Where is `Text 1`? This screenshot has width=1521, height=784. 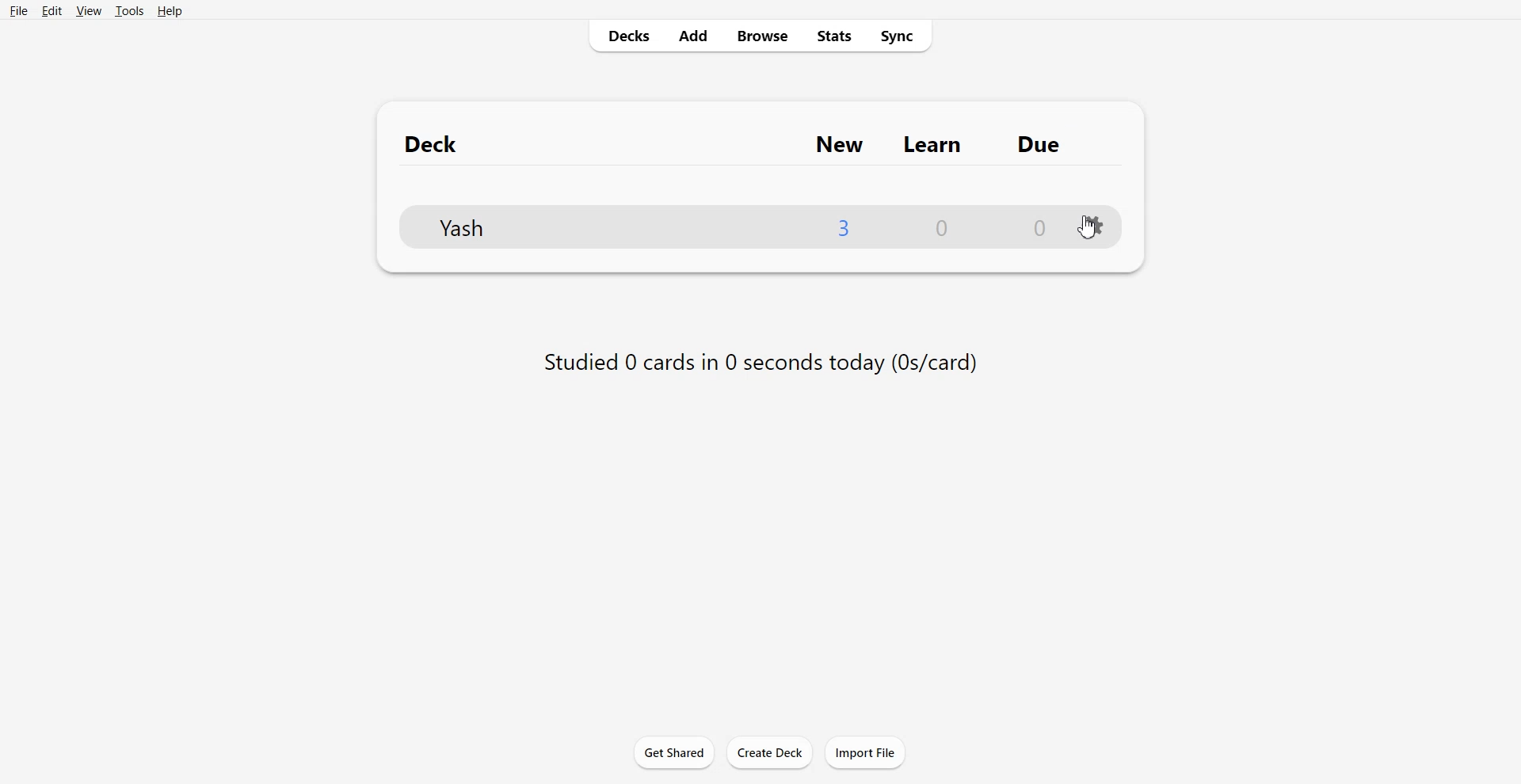 Text 1 is located at coordinates (749, 143).